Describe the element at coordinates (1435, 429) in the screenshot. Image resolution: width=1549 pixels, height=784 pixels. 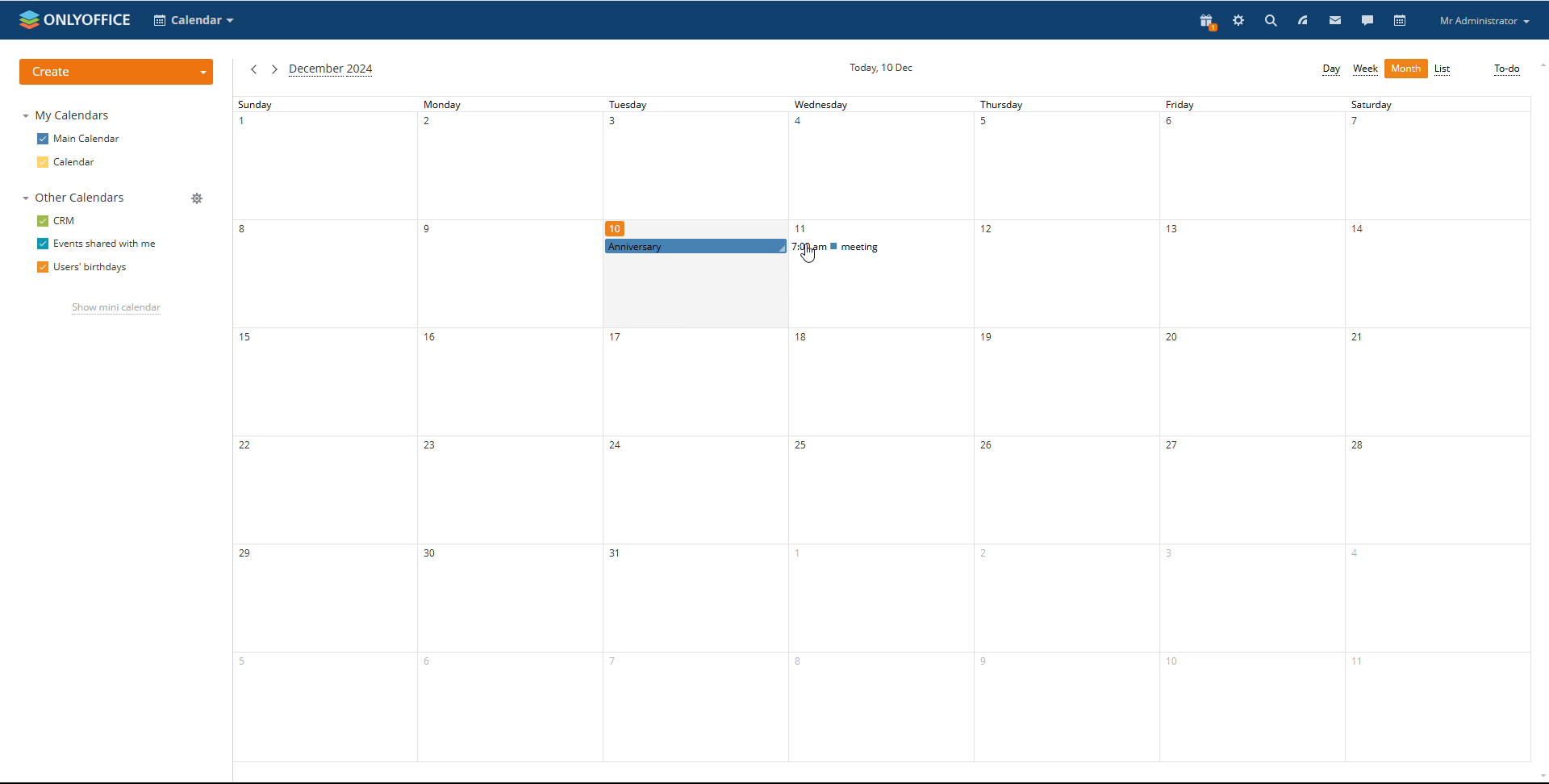
I see `saturday` at that location.